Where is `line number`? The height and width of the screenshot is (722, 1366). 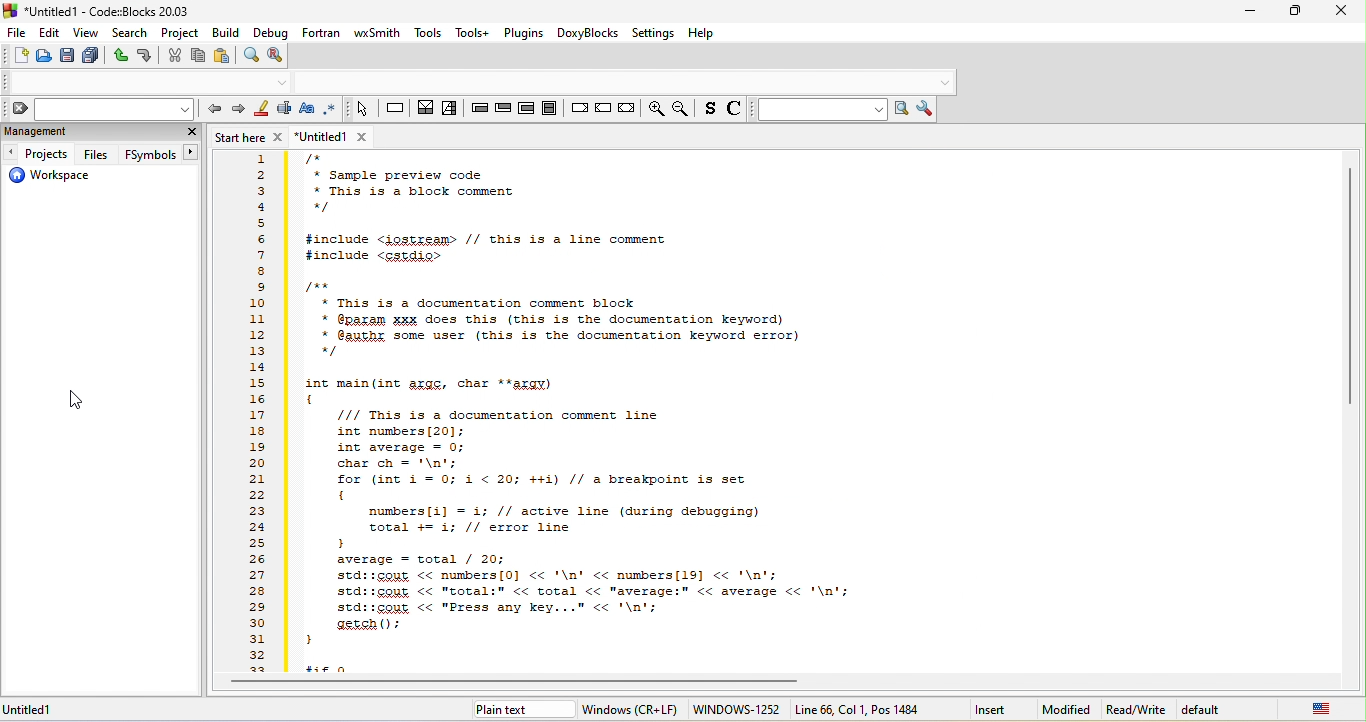
line number is located at coordinates (257, 413).